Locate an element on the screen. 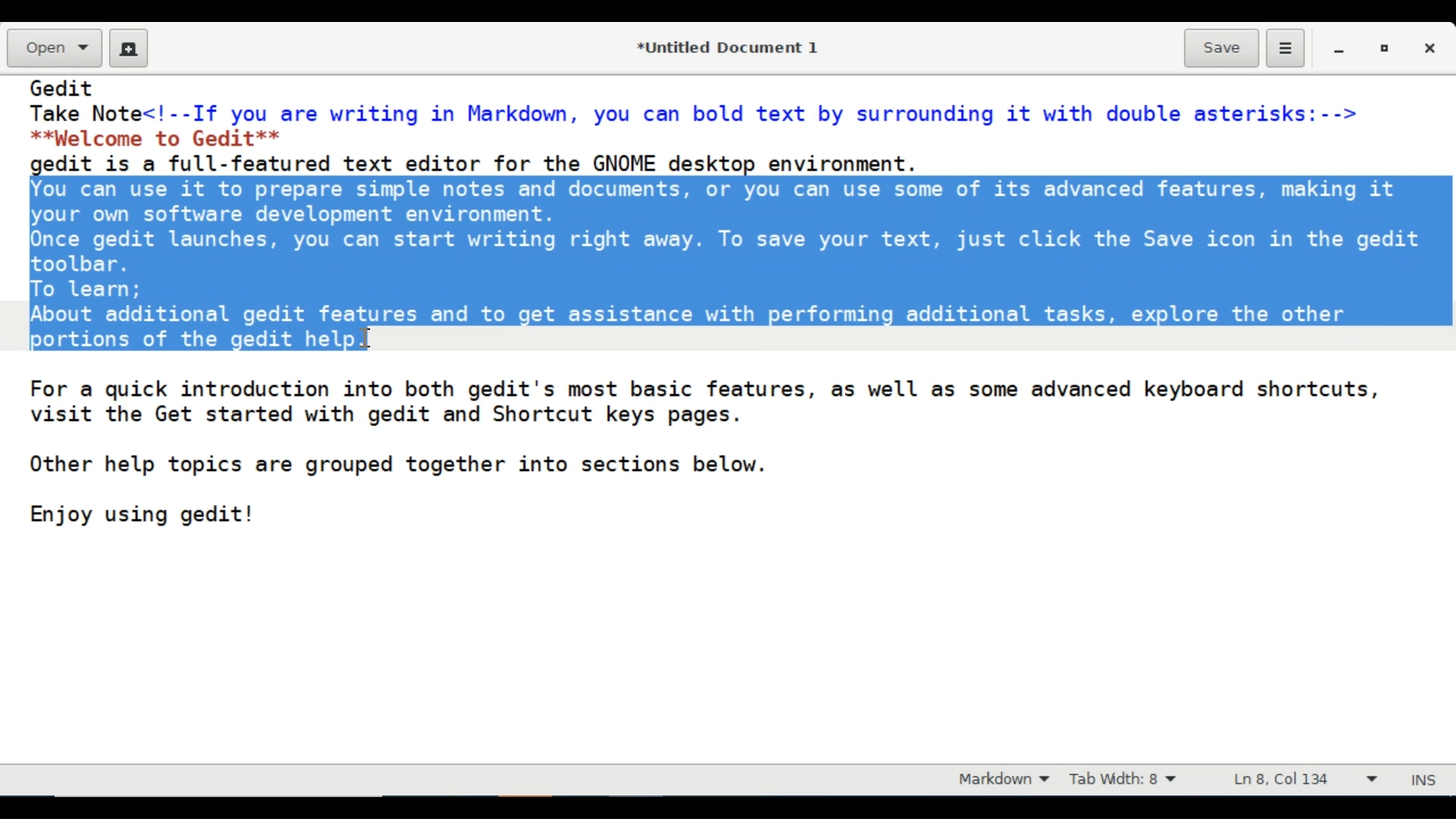 Image resolution: width=1456 pixels, height=819 pixels. Application menu is located at coordinates (1285, 49).